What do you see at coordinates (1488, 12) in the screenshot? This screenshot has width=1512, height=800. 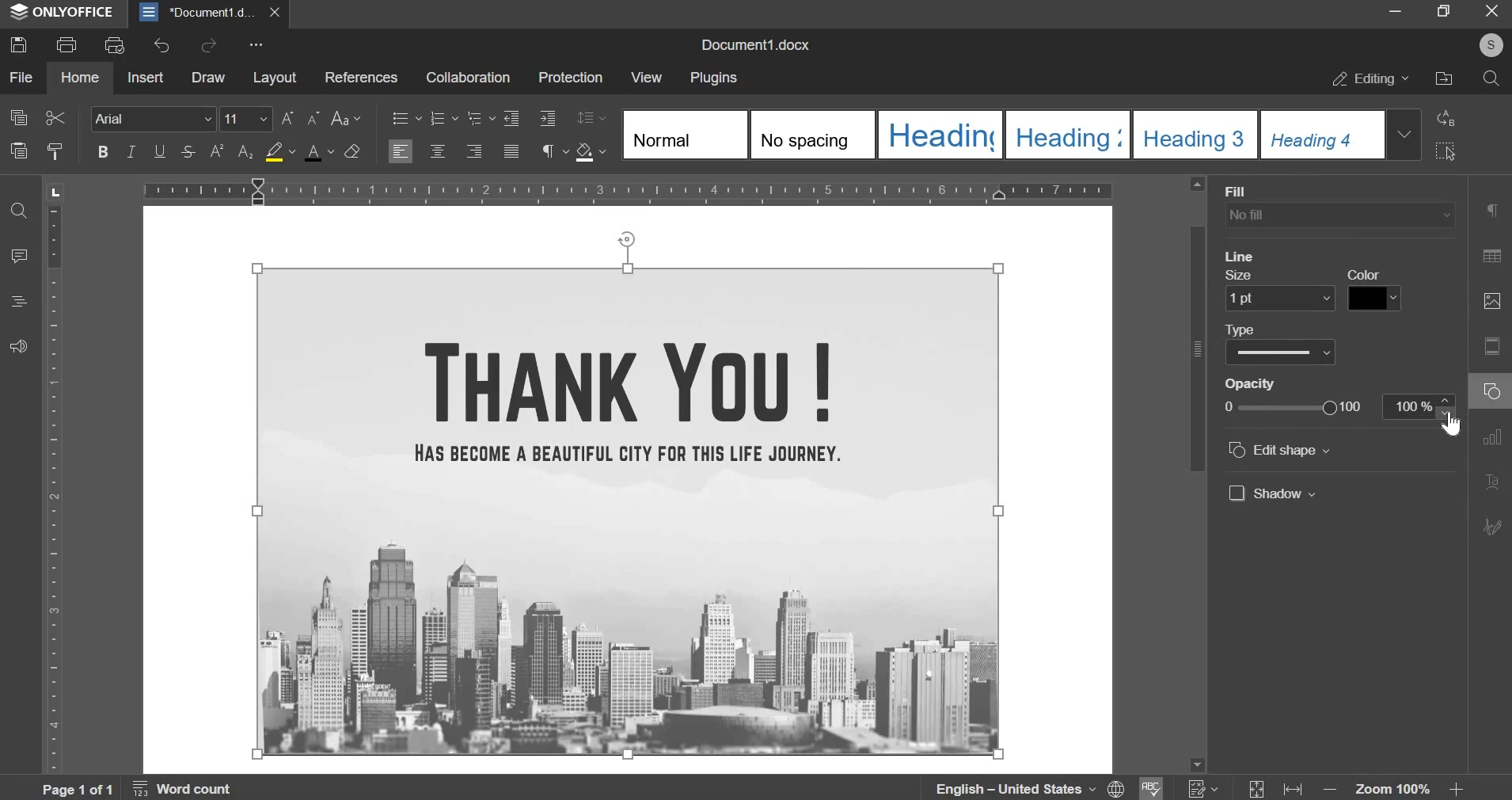 I see `close` at bounding box center [1488, 12].